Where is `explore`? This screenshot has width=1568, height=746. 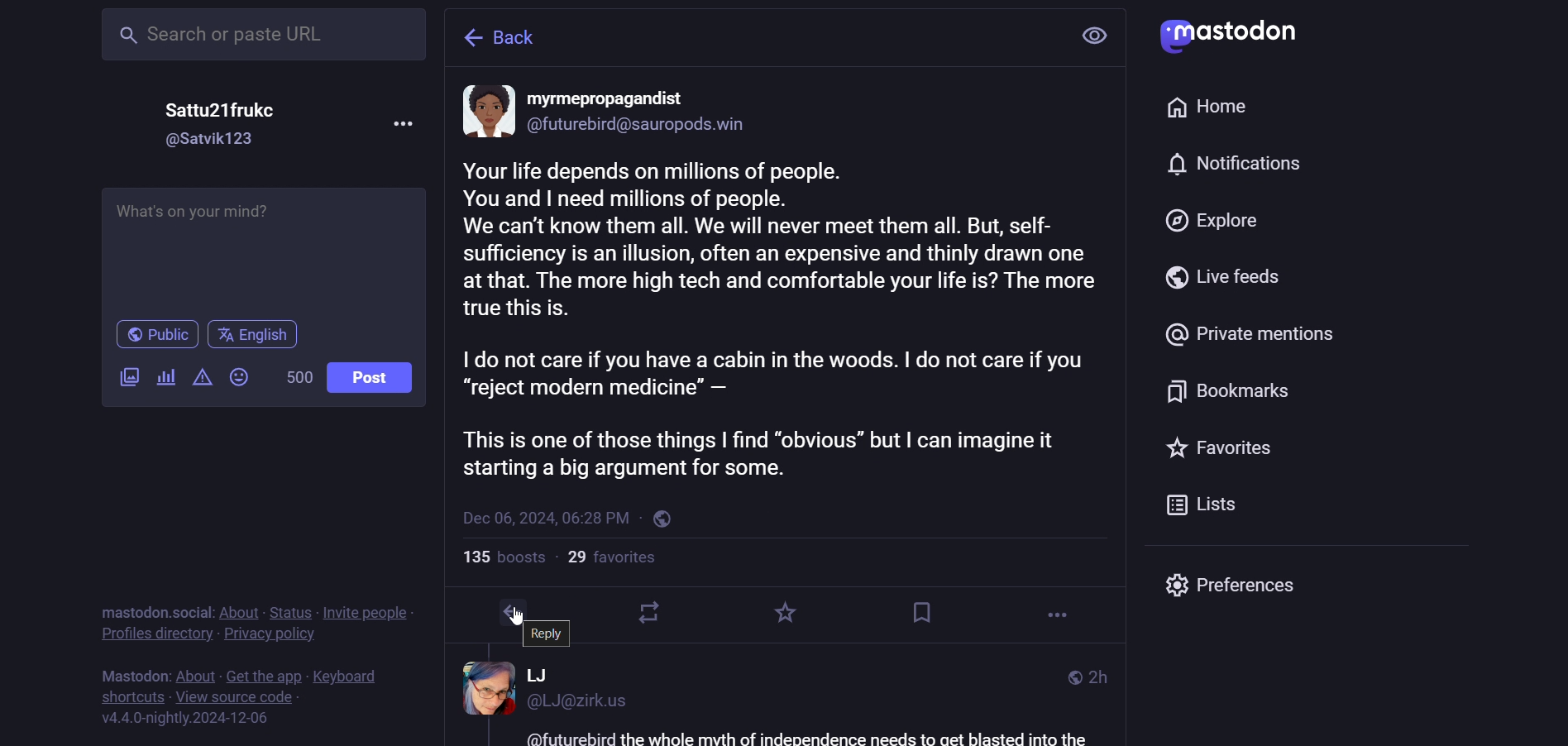
explore is located at coordinates (1212, 222).